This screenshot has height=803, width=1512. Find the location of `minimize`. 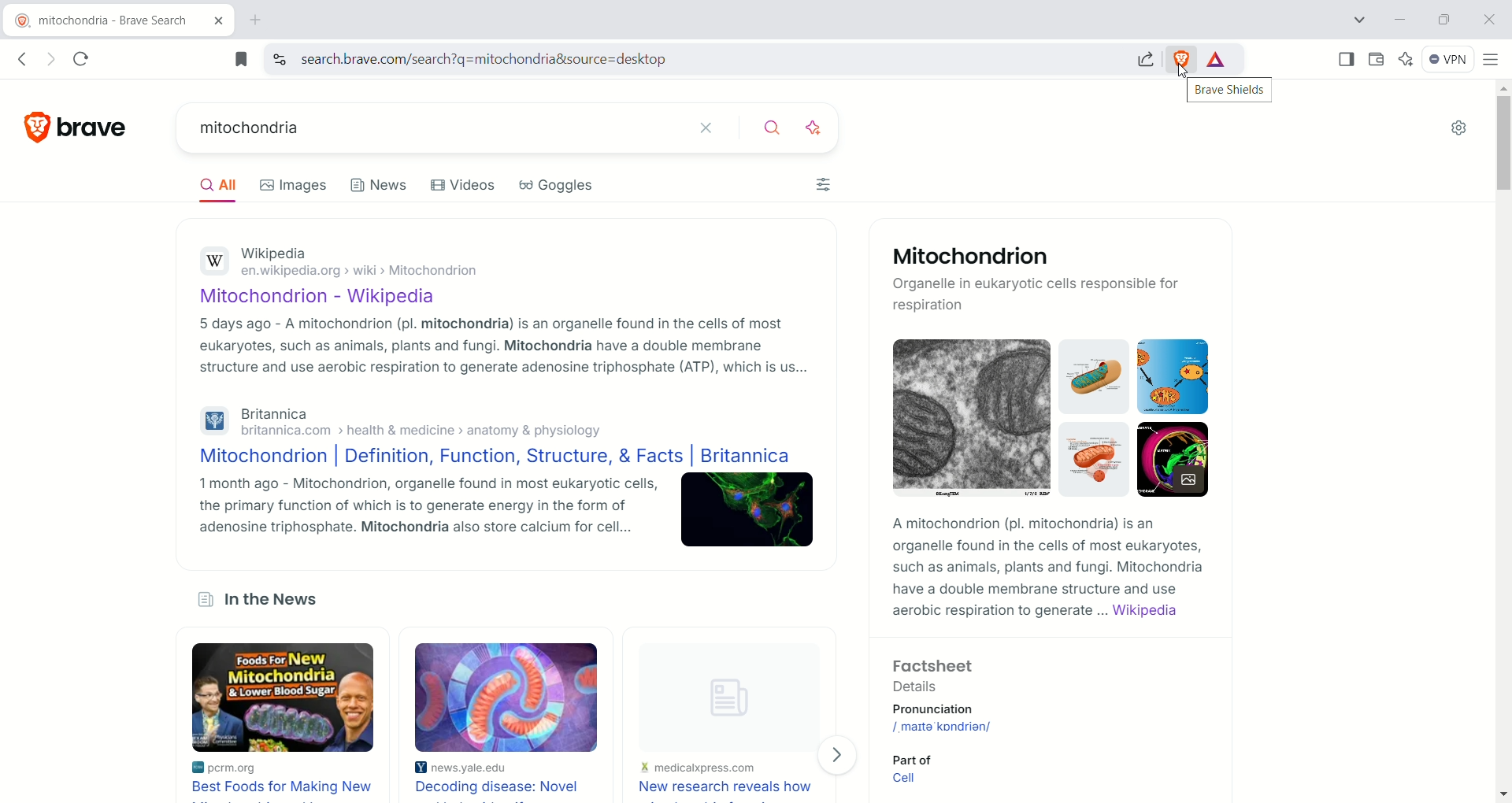

minimize is located at coordinates (1405, 18).